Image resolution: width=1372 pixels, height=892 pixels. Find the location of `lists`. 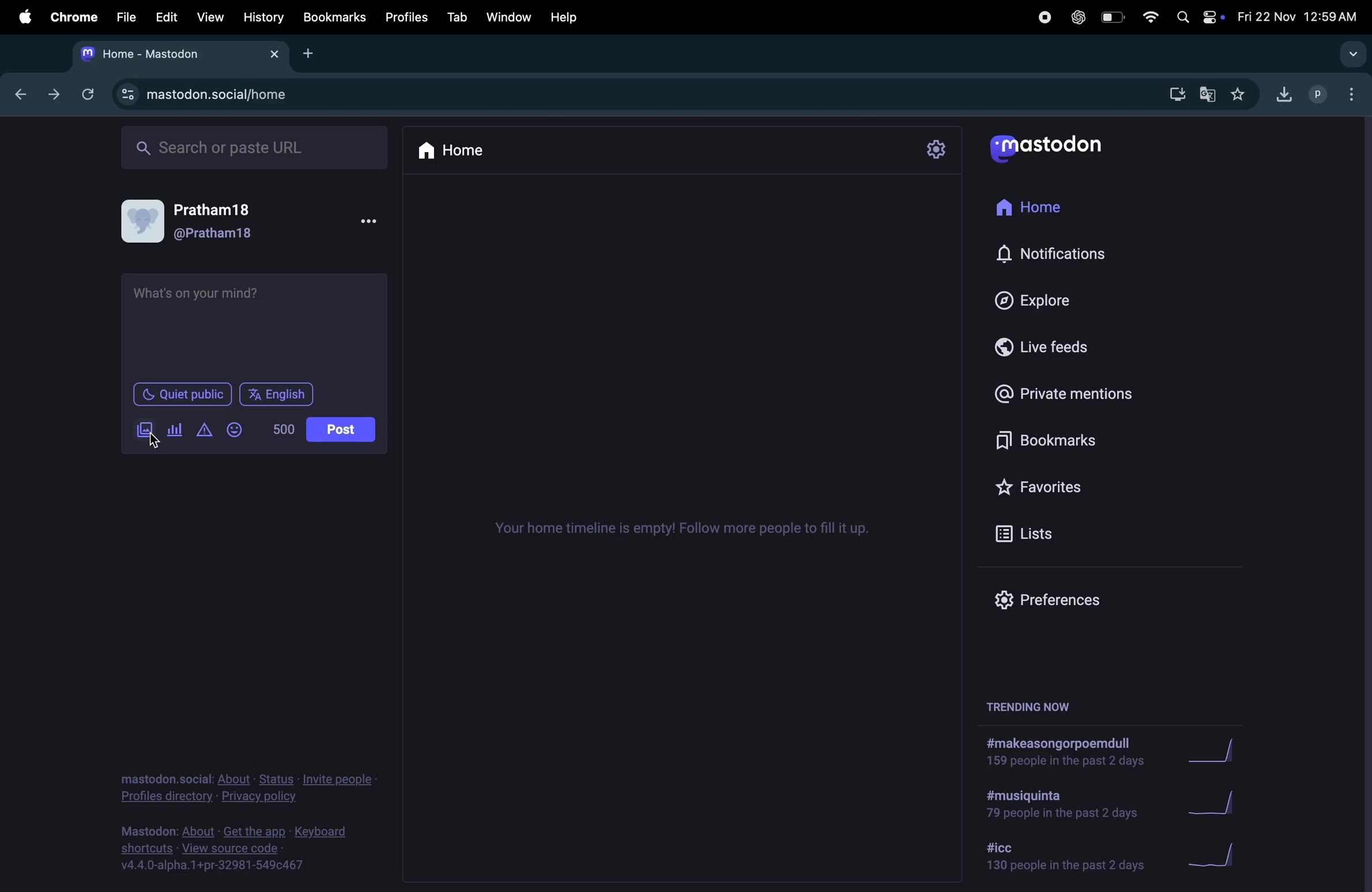

lists is located at coordinates (1081, 537).